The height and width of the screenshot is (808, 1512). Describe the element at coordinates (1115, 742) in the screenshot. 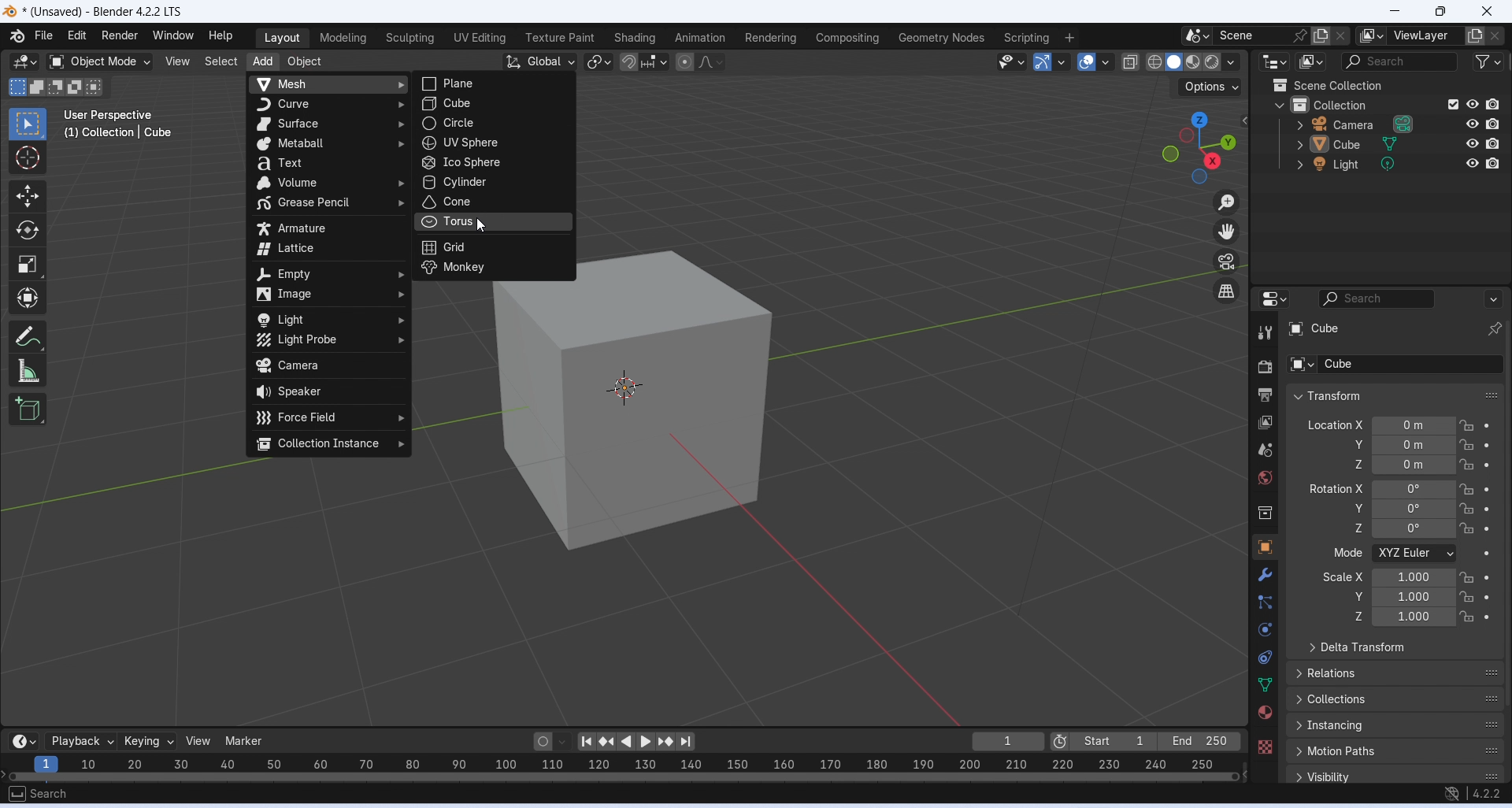

I see `Start 1` at that location.